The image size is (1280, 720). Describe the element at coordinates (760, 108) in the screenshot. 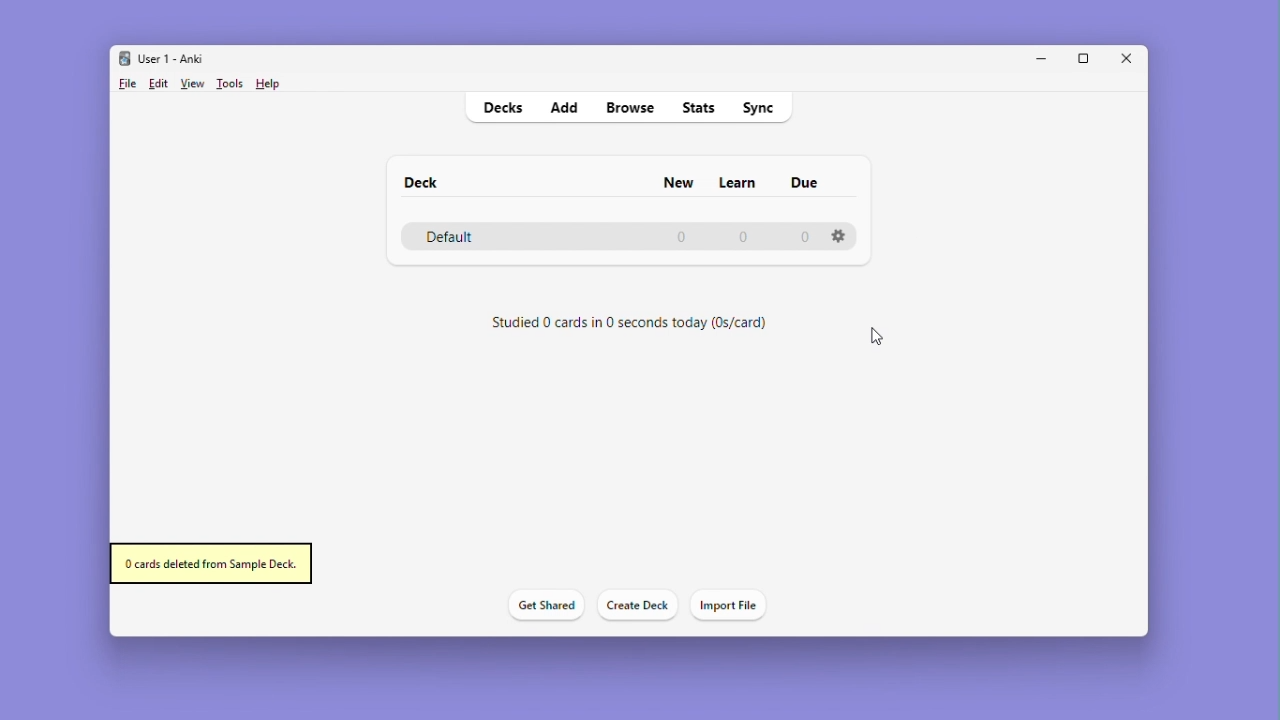

I see `sync` at that location.